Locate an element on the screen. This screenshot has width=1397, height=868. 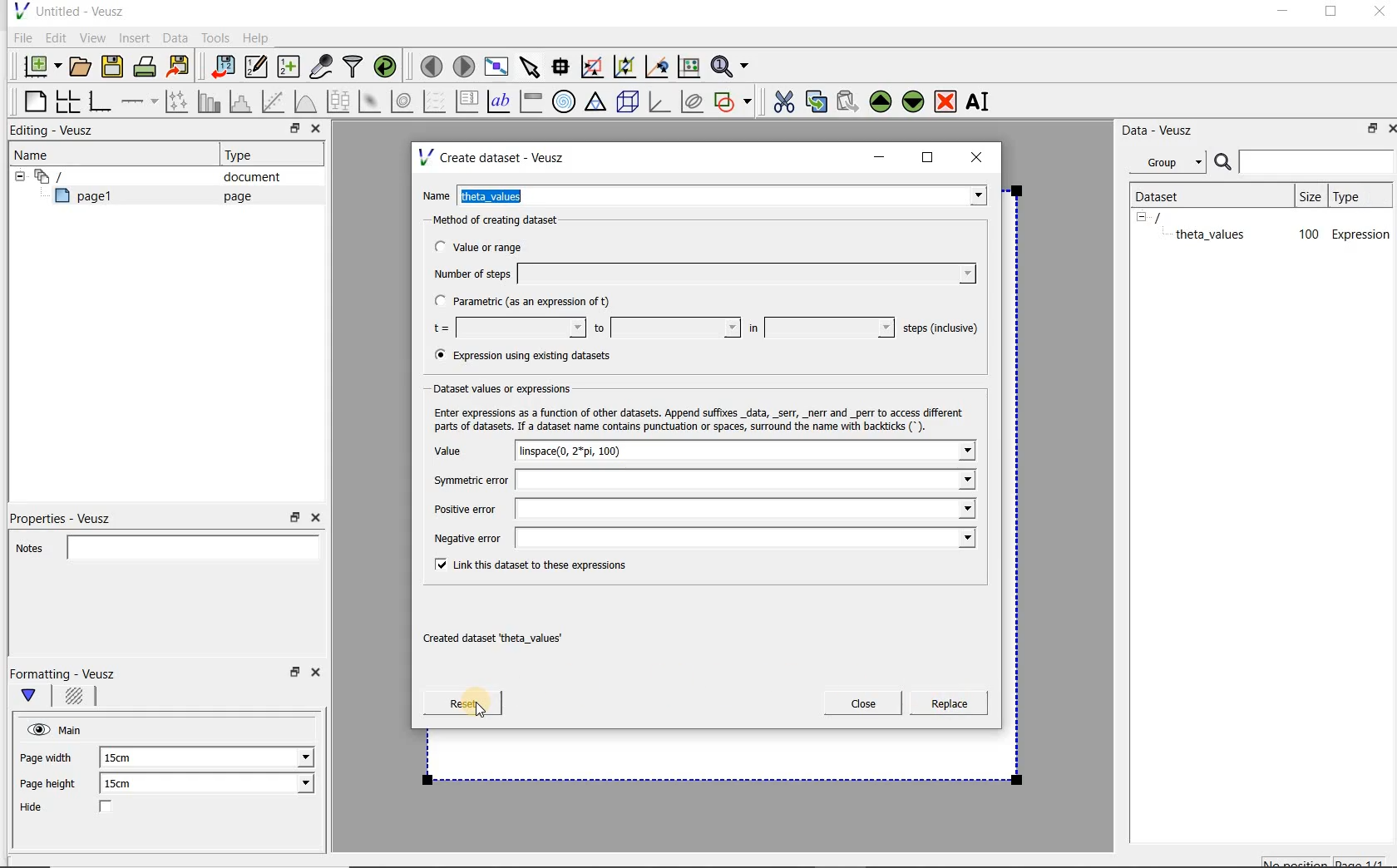
plot a vector field is located at coordinates (435, 100).